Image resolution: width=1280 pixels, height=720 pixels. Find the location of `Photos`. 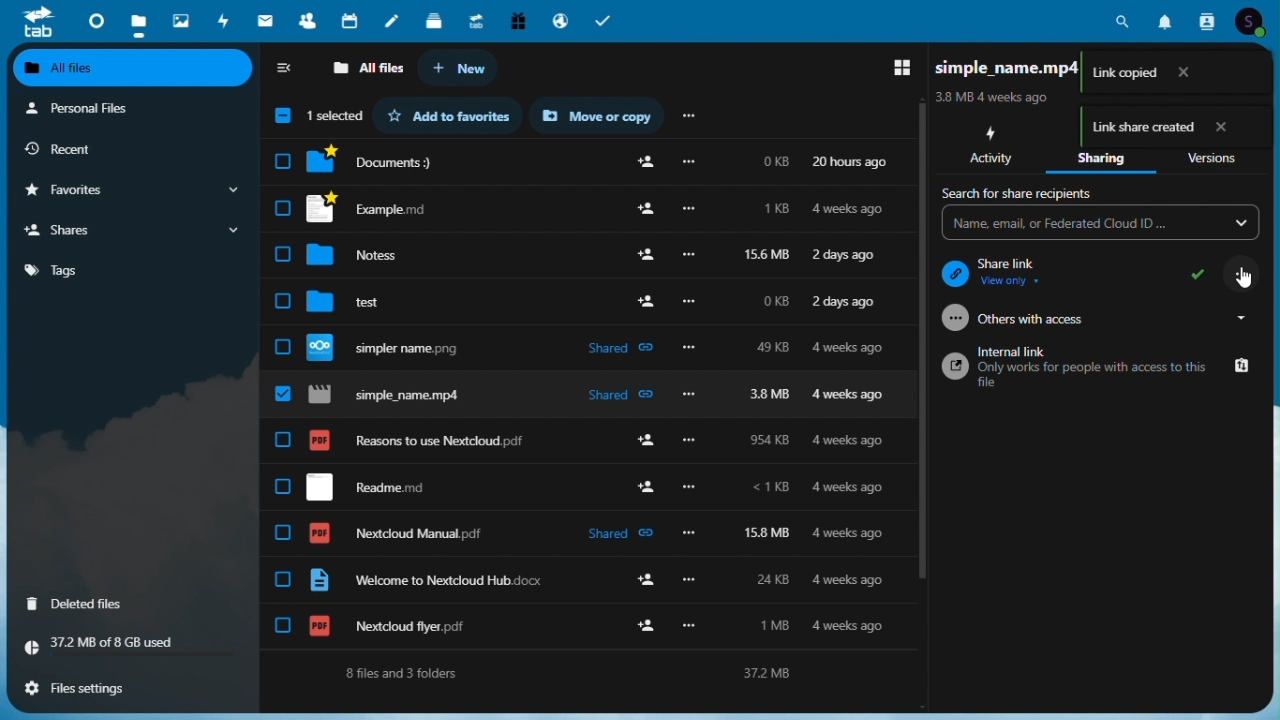

Photos is located at coordinates (182, 17).